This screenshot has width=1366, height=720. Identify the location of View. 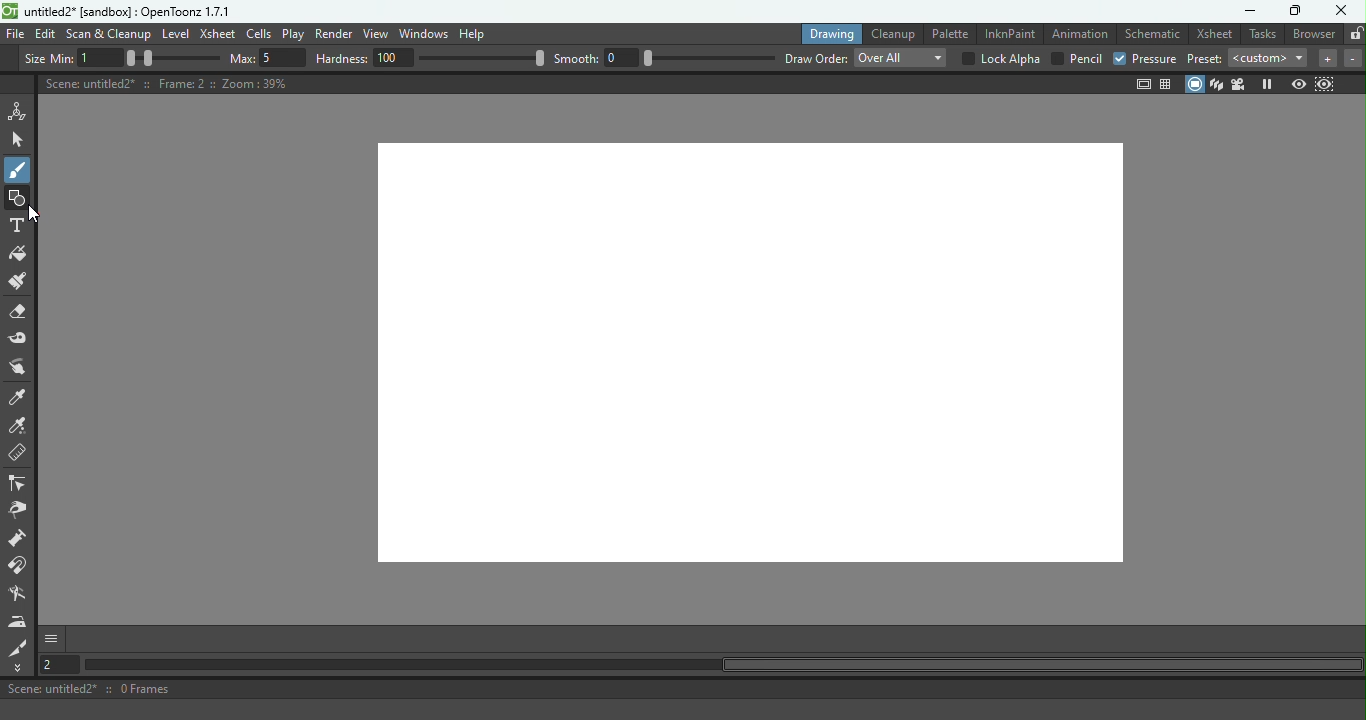
(374, 33).